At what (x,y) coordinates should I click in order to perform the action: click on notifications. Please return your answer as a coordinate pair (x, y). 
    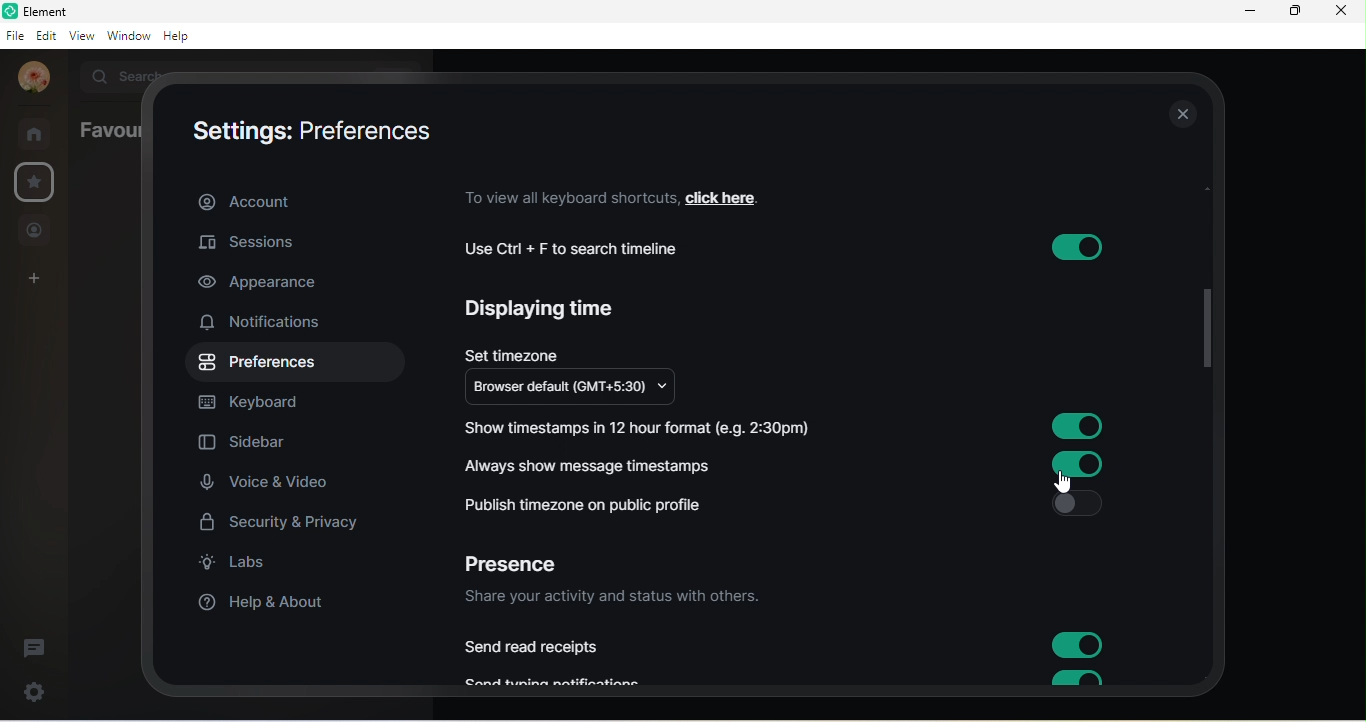
    Looking at the image, I should click on (270, 324).